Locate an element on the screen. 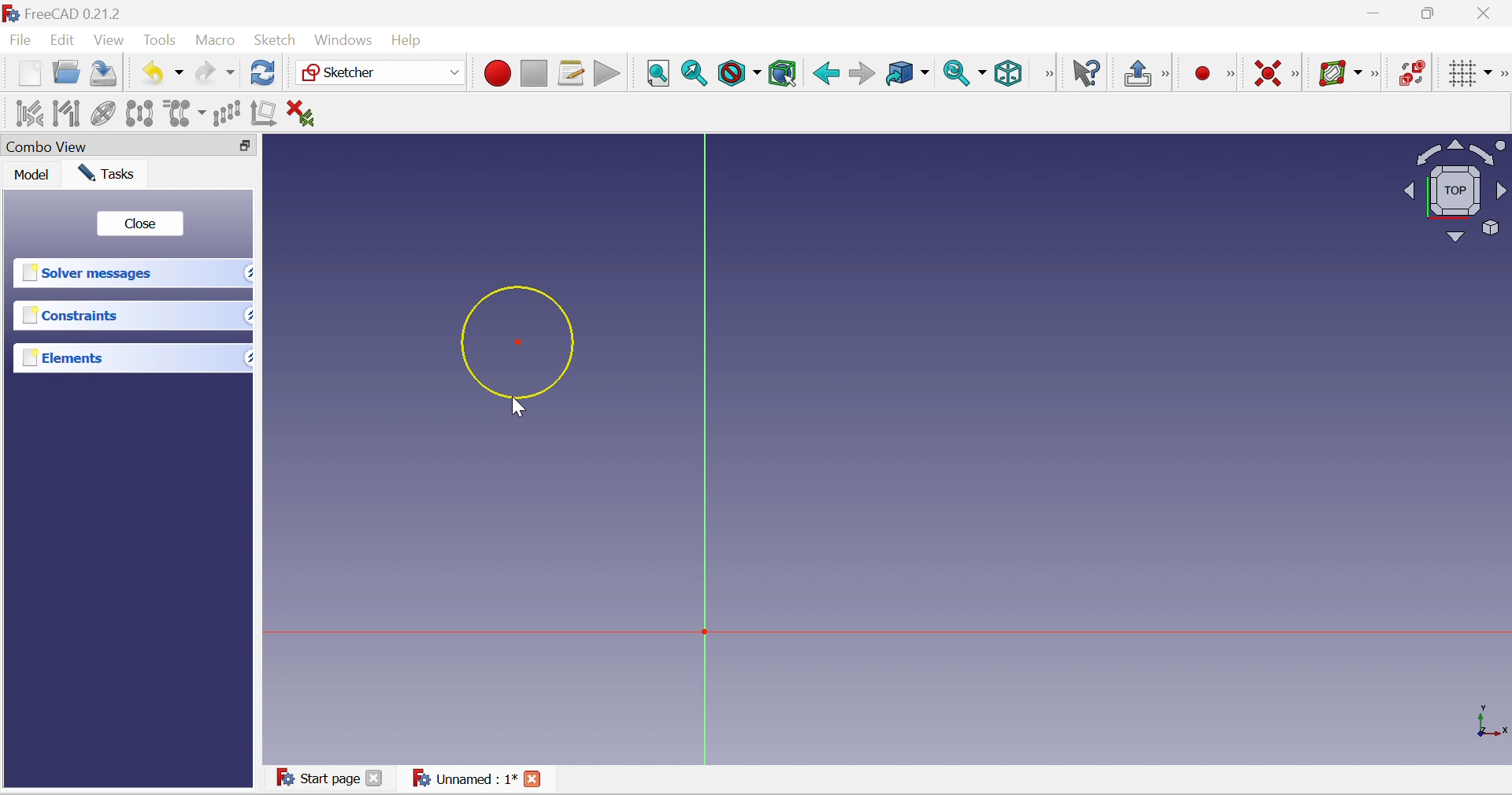 This screenshot has height=795, width=1512. Save is located at coordinates (104, 73).